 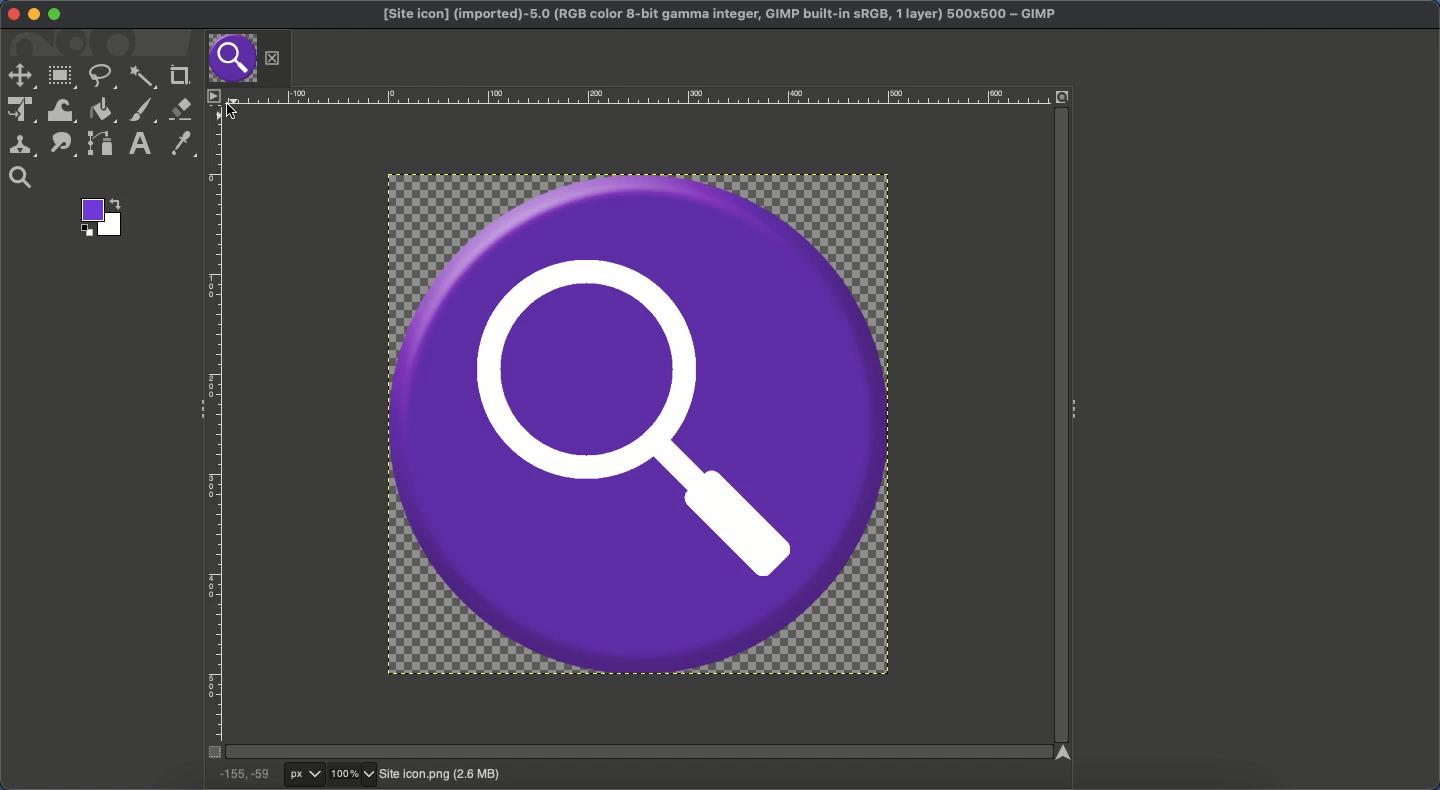 I want to click on Crop, so click(x=177, y=76).